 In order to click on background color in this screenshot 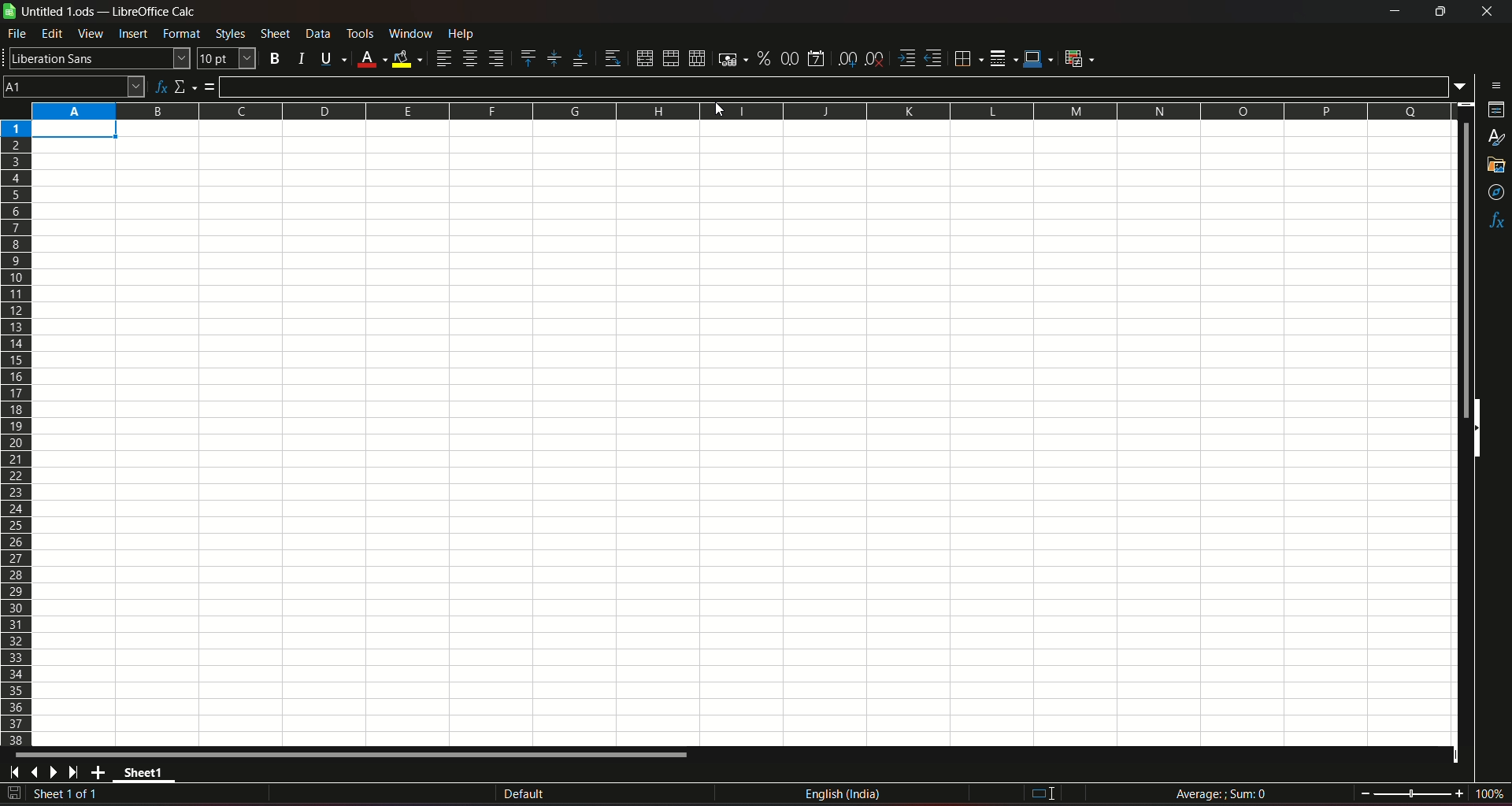, I will do `click(407, 57)`.